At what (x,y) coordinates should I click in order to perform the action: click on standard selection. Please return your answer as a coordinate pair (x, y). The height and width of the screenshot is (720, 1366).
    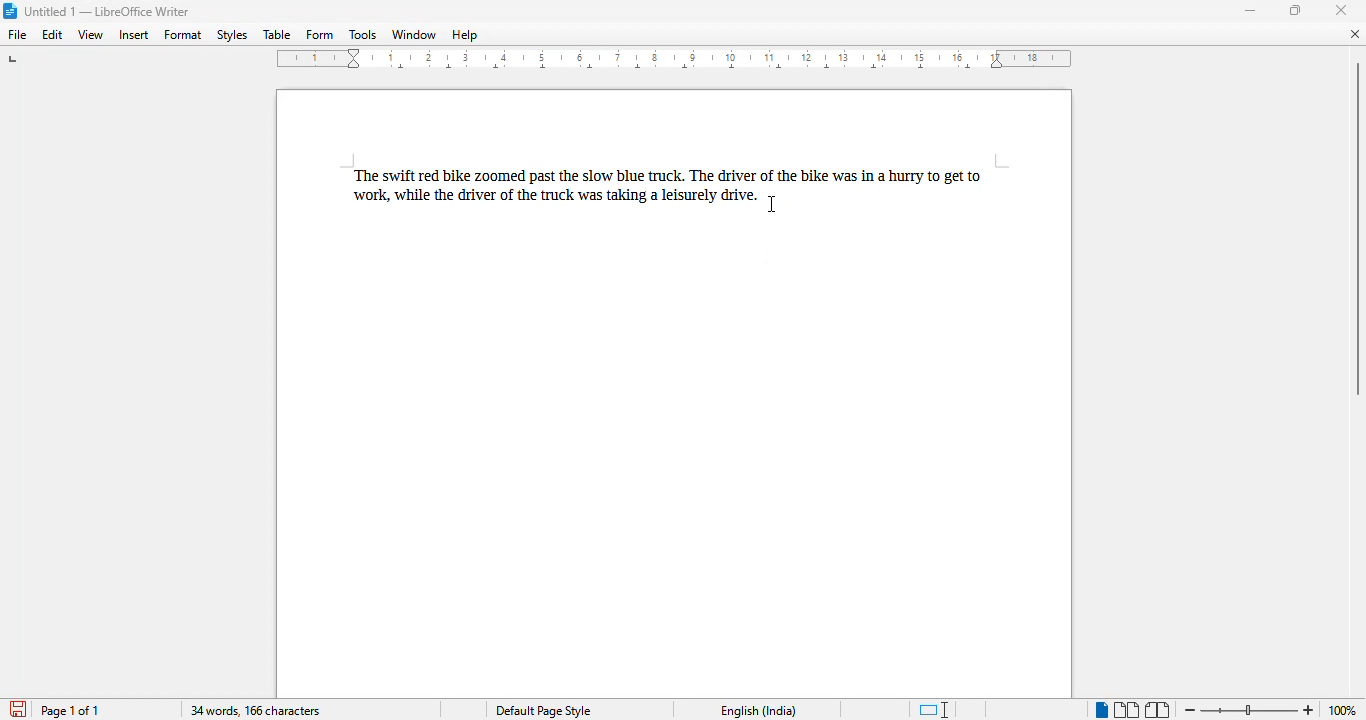
    Looking at the image, I should click on (934, 710).